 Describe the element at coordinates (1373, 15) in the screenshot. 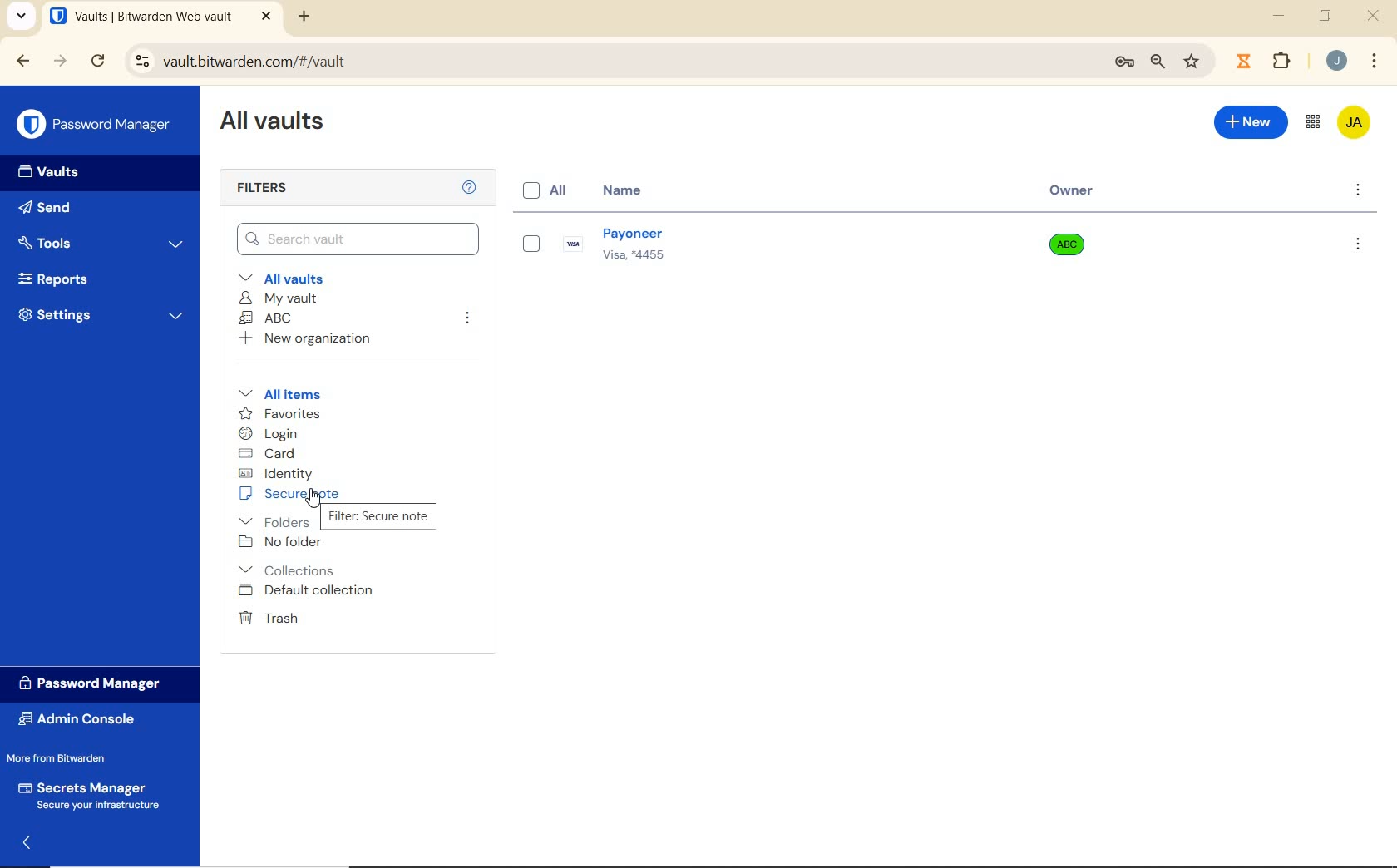

I see `close` at that location.